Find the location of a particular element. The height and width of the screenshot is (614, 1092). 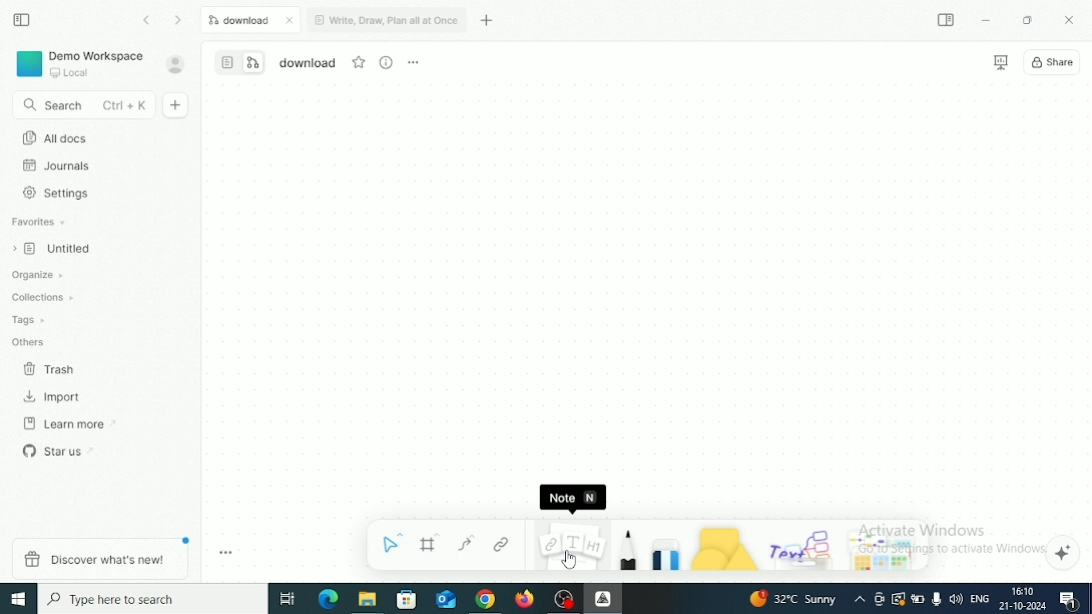

Microsoft Edge is located at coordinates (326, 600).